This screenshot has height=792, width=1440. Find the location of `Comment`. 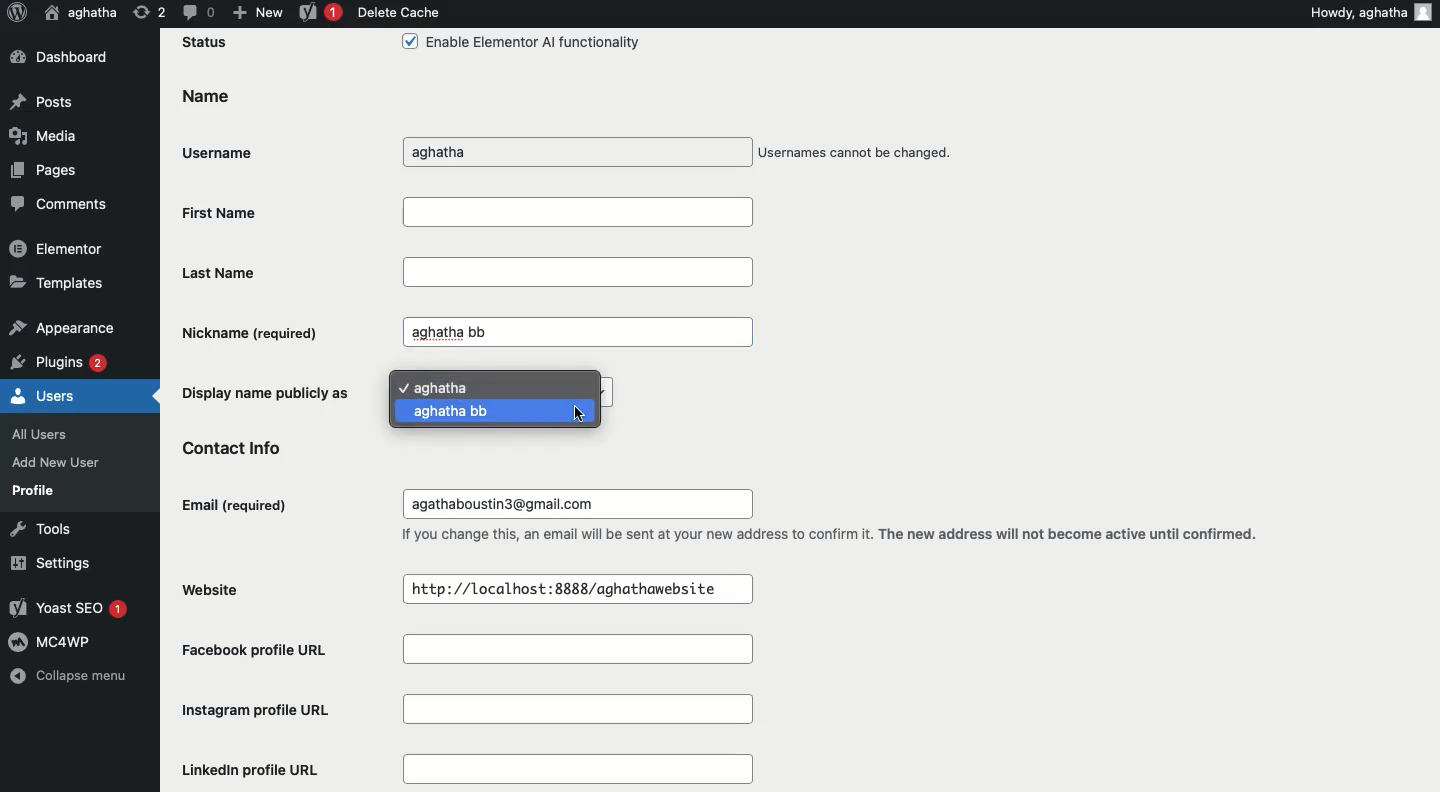

Comment is located at coordinates (197, 11).